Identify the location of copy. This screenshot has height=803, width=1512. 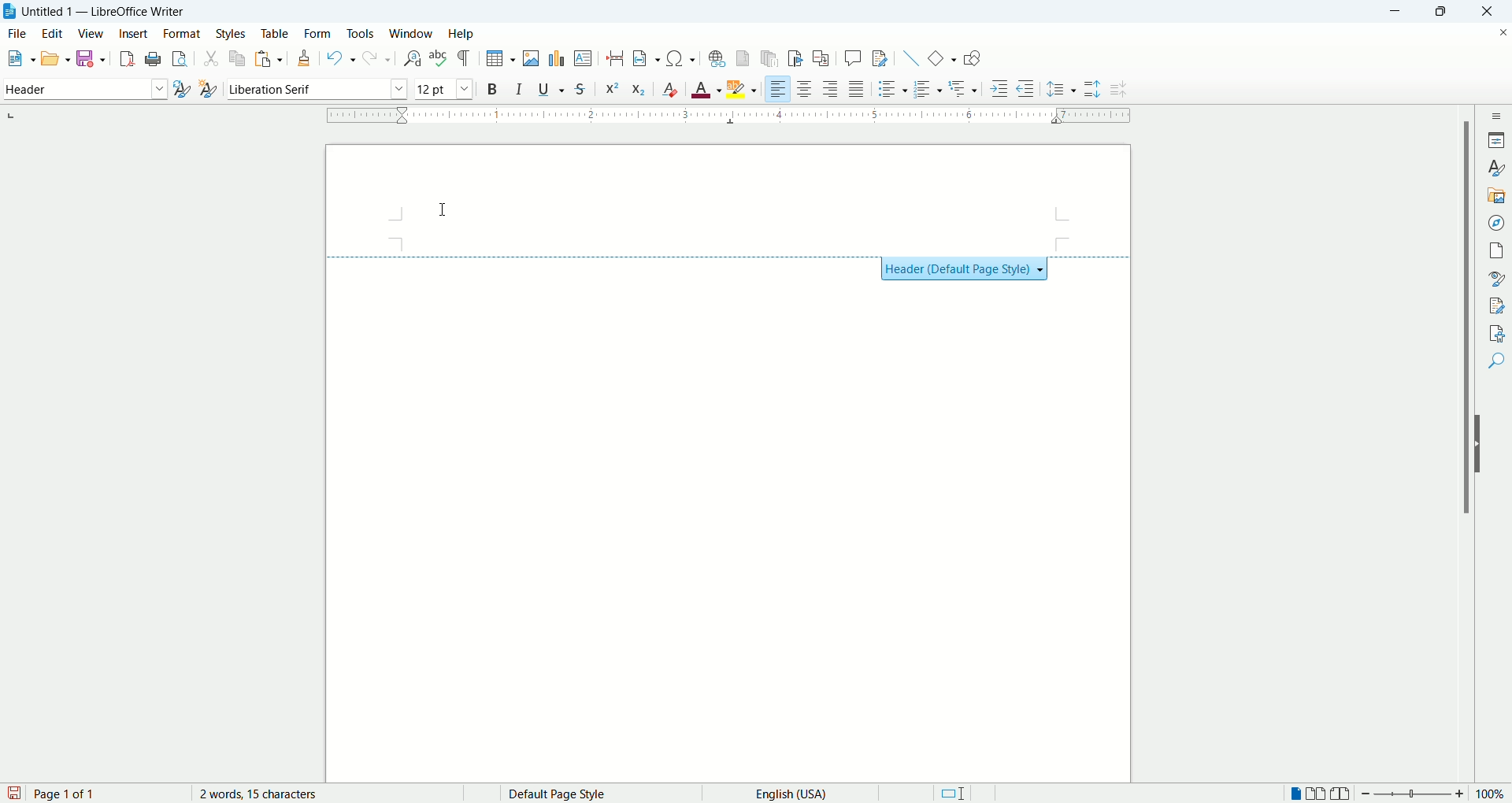
(237, 59).